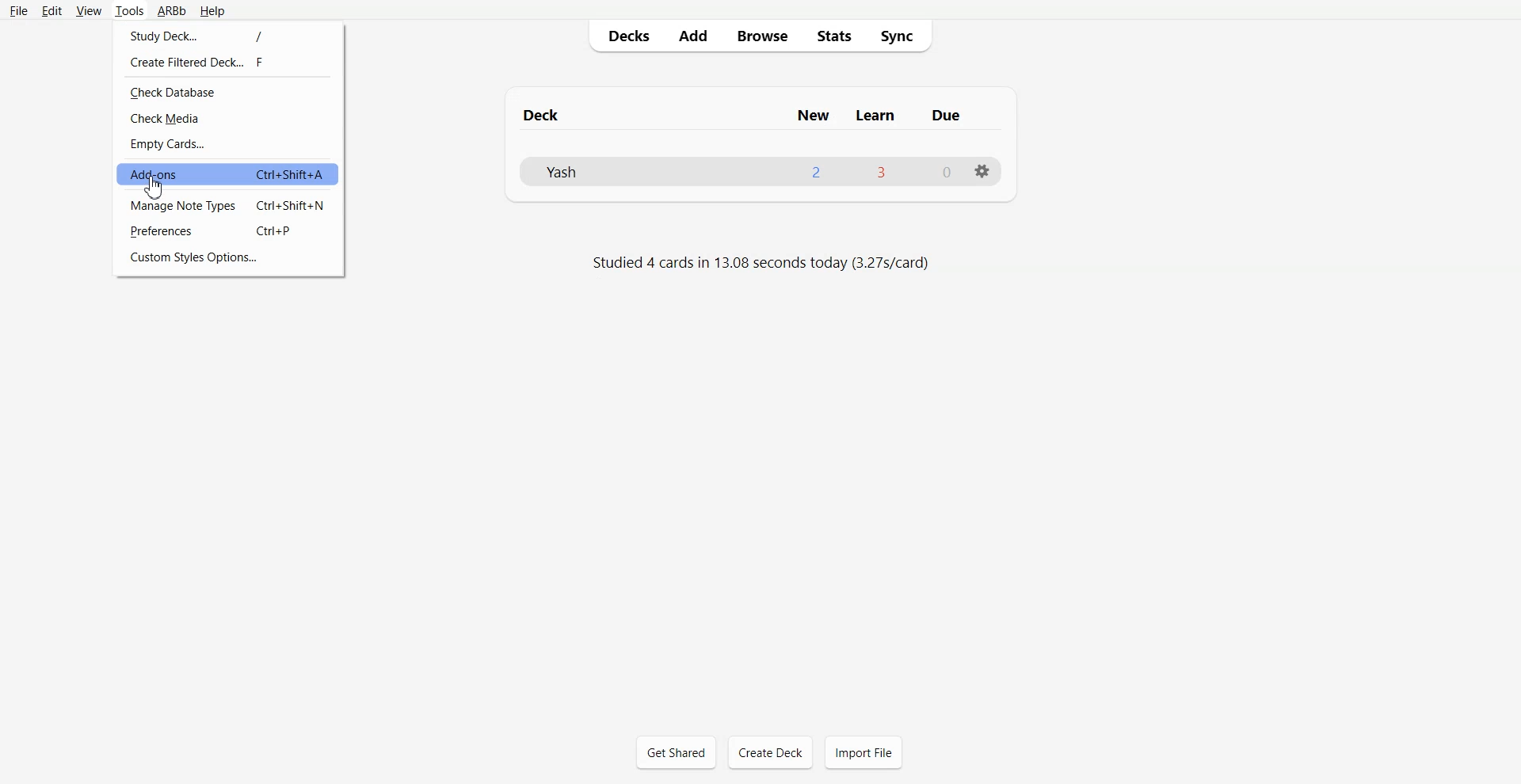 The width and height of the screenshot is (1521, 784). What do you see at coordinates (623, 35) in the screenshot?
I see `Decks` at bounding box center [623, 35].